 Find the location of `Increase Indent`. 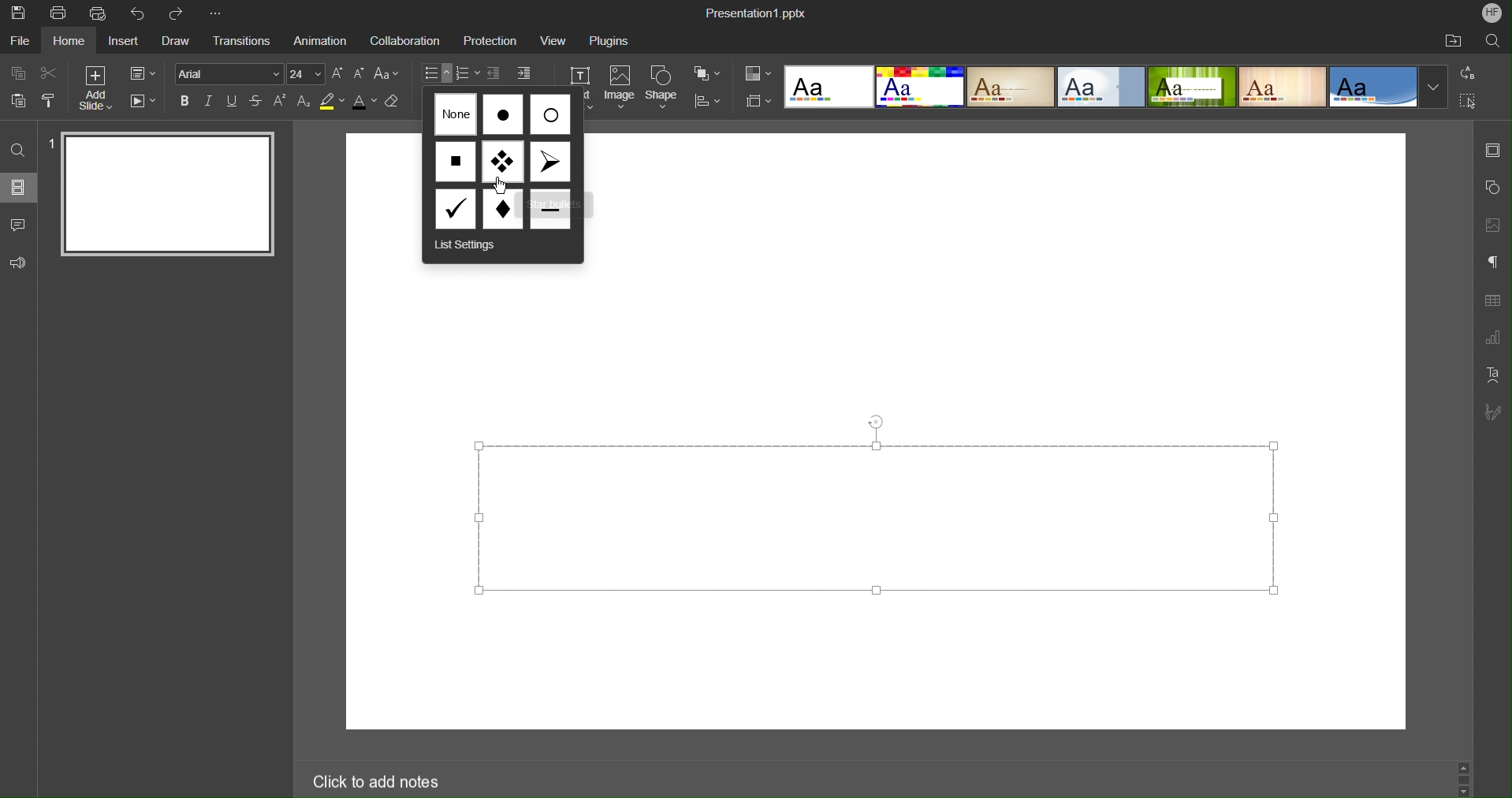

Increase Indent is located at coordinates (493, 73).